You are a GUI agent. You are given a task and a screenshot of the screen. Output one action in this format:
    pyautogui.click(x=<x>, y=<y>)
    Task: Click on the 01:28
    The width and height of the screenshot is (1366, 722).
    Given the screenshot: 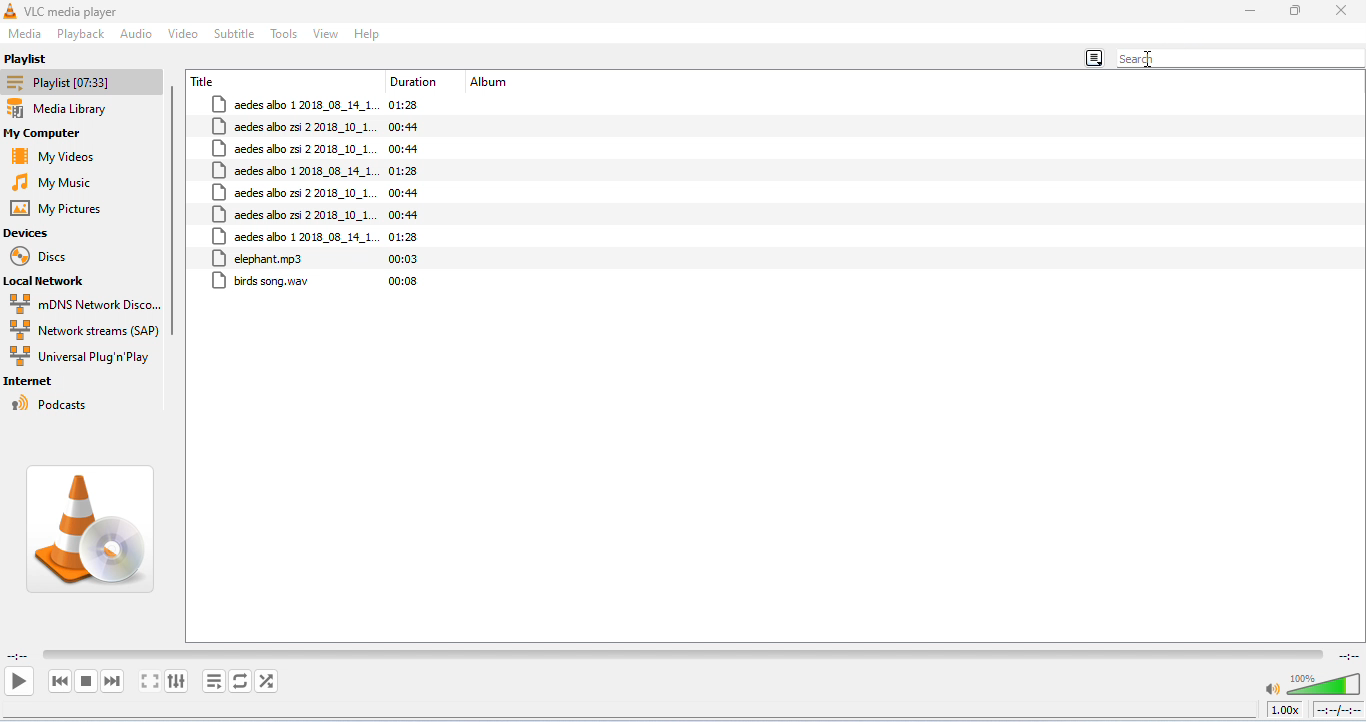 What is the action you would take?
    pyautogui.click(x=404, y=238)
    